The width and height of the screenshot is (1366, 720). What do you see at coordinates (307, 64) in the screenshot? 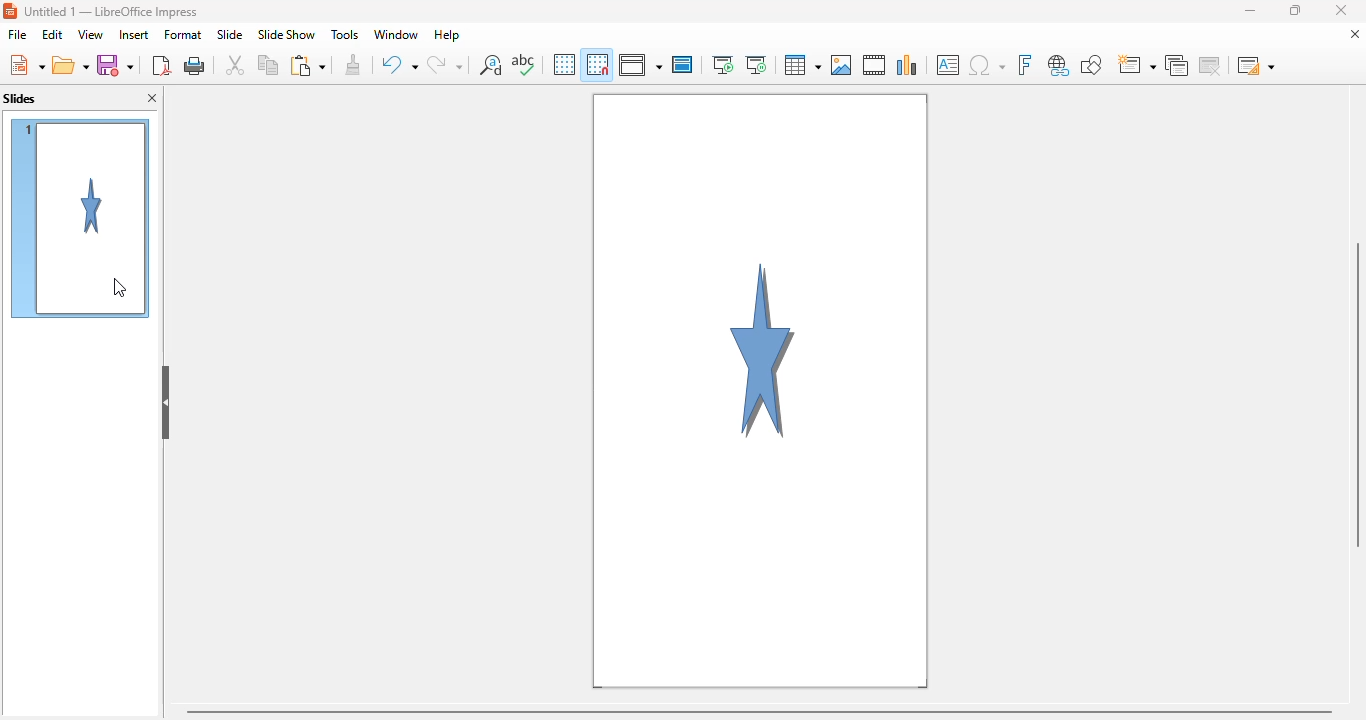
I see `paste` at bounding box center [307, 64].